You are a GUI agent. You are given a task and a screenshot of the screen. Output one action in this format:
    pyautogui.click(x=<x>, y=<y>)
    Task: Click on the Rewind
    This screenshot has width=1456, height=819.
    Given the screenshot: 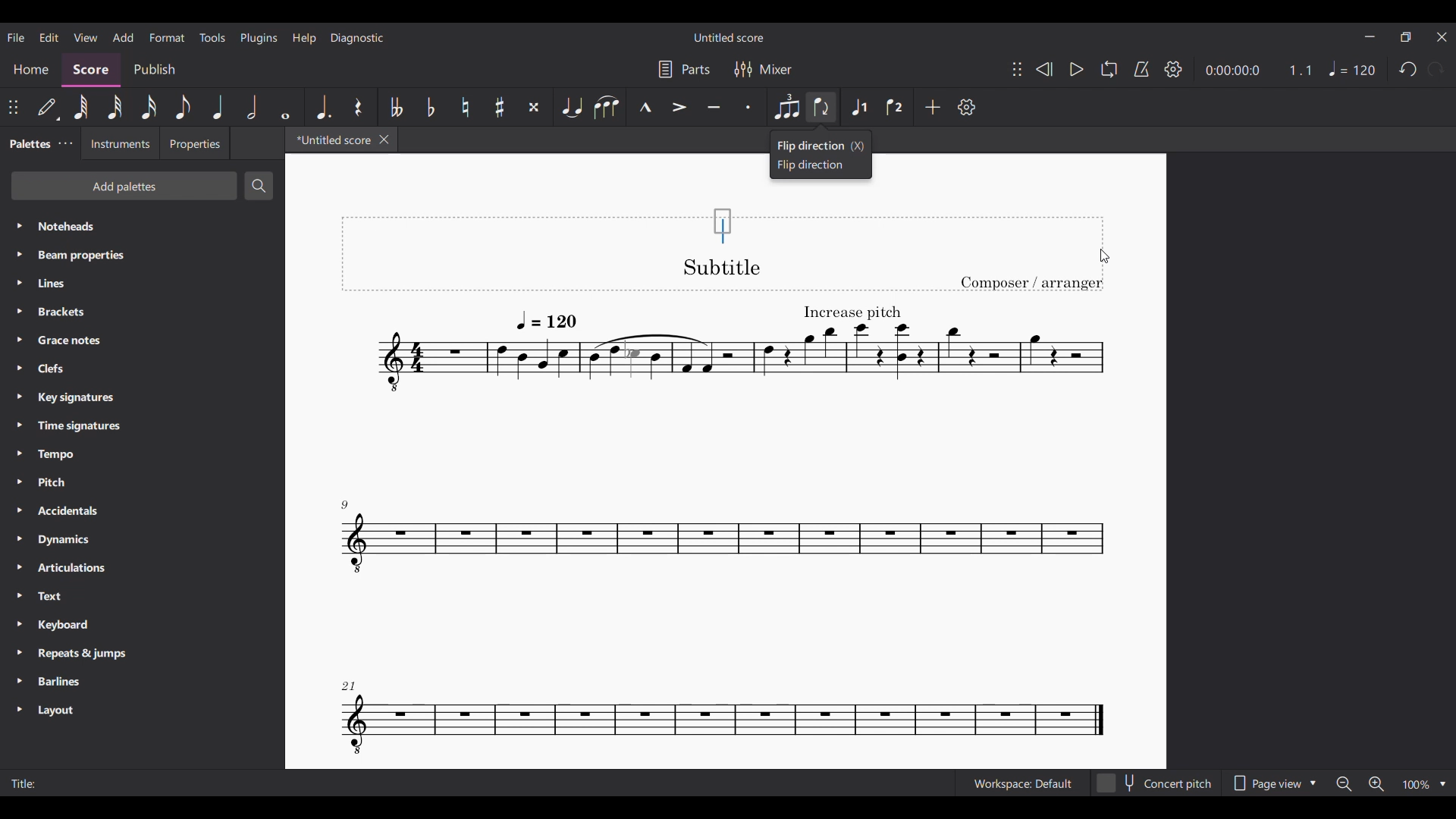 What is the action you would take?
    pyautogui.click(x=1043, y=69)
    